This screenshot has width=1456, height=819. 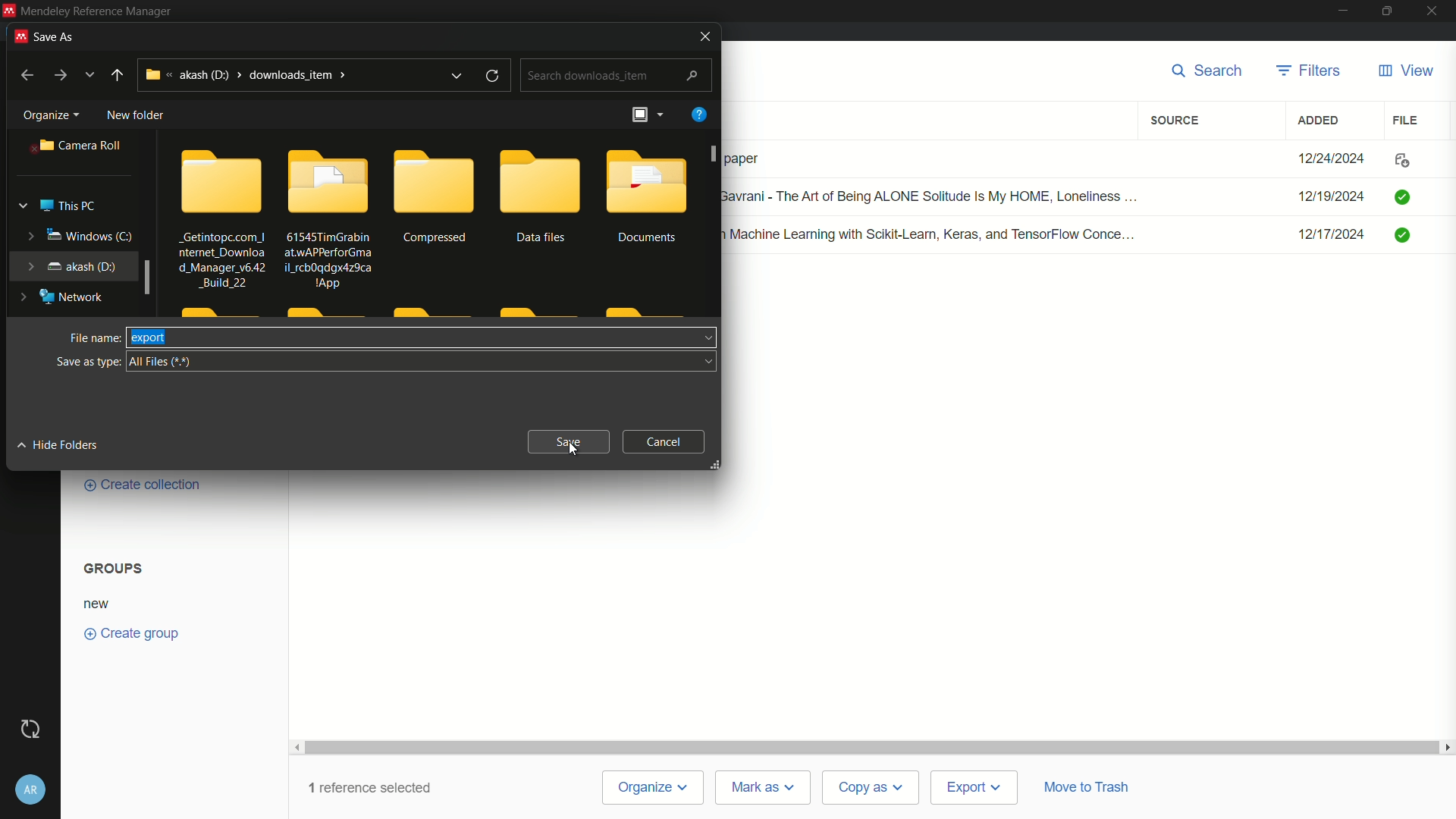 What do you see at coordinates (573, 452) in the screenshot?
I see `cursor` at bounding box center [573, 452].